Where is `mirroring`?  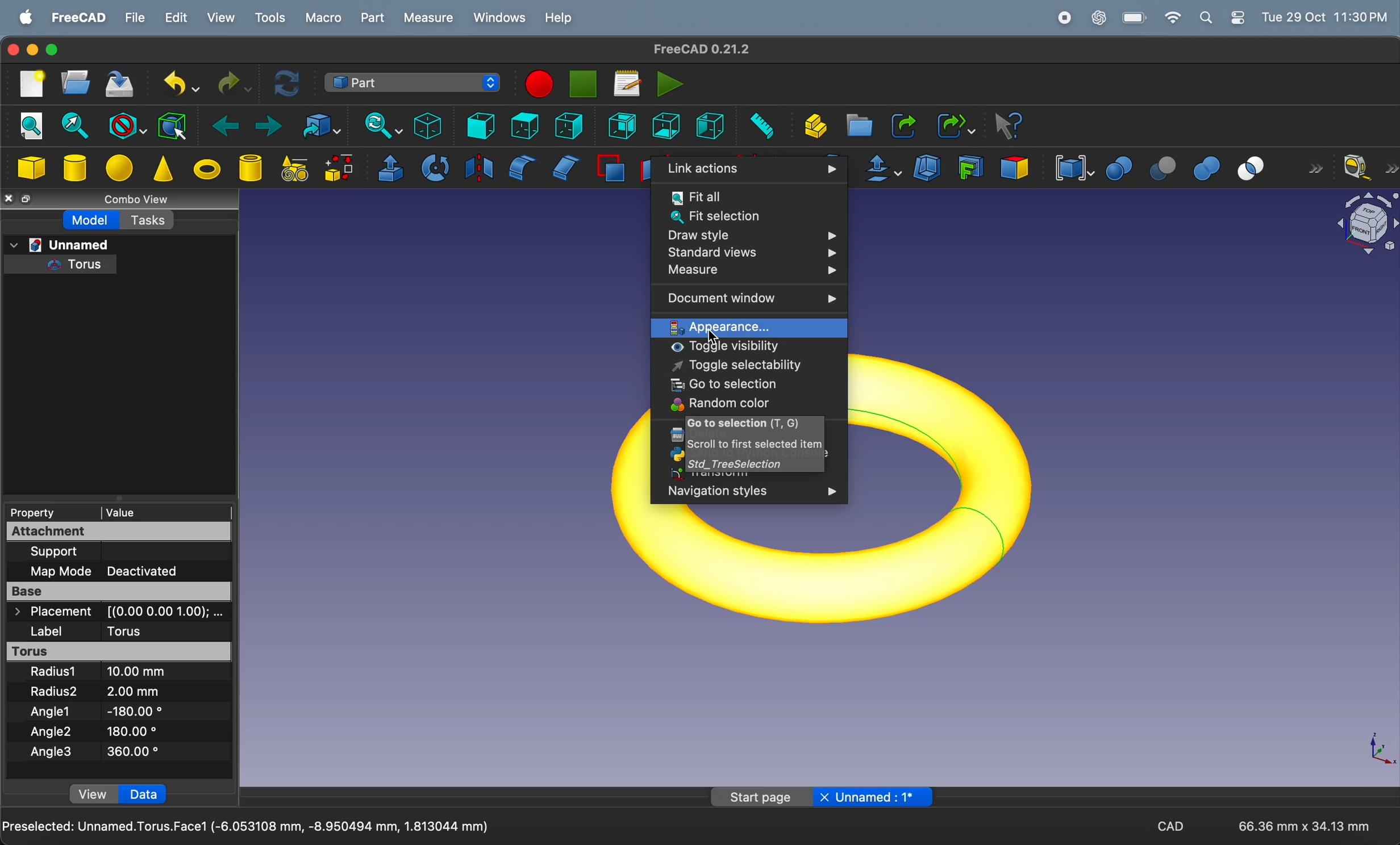
mirroring is located at coordinates (476, 168).